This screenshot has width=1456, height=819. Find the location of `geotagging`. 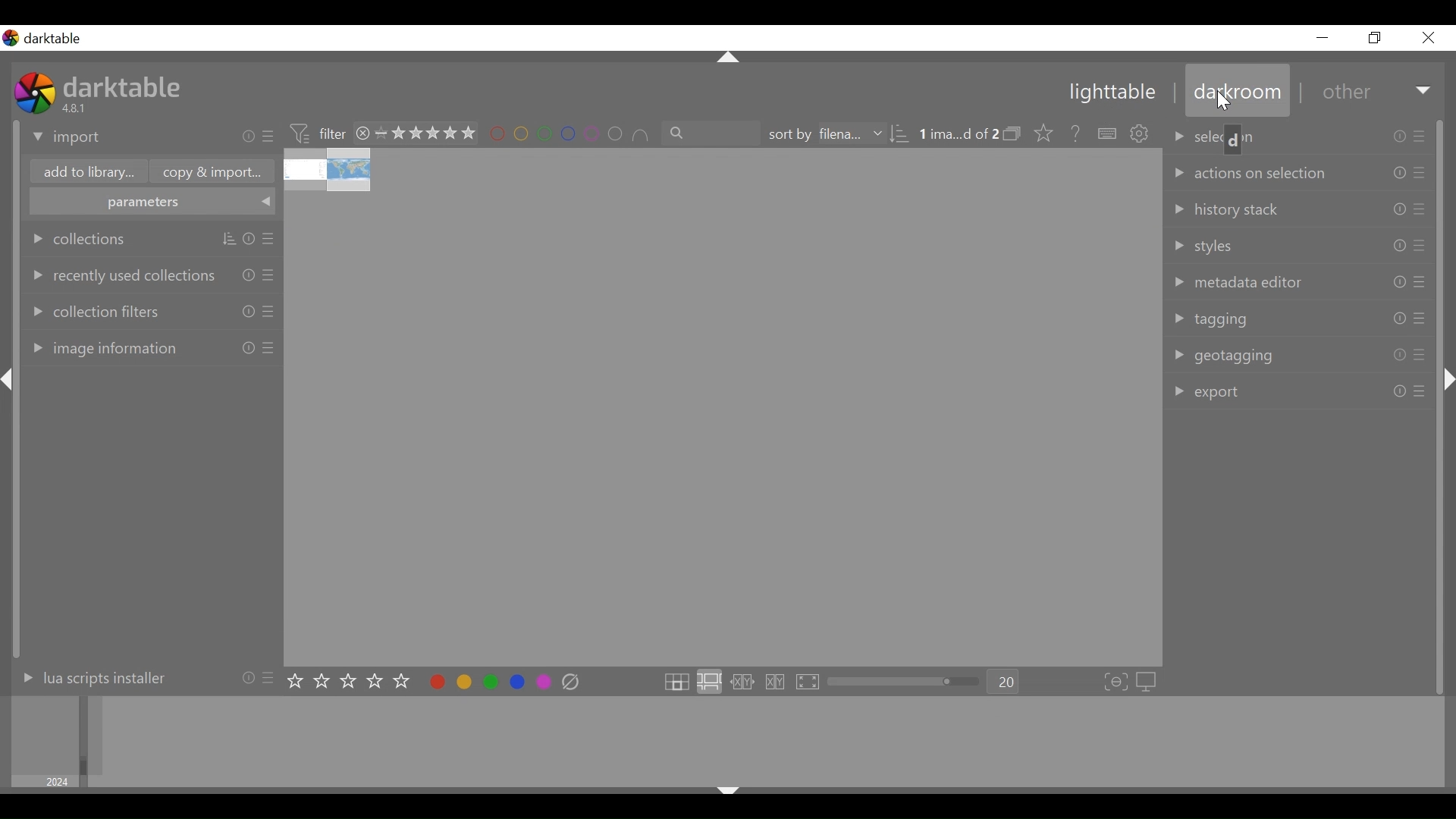

geotagging is located at coordinates (1255, 353).